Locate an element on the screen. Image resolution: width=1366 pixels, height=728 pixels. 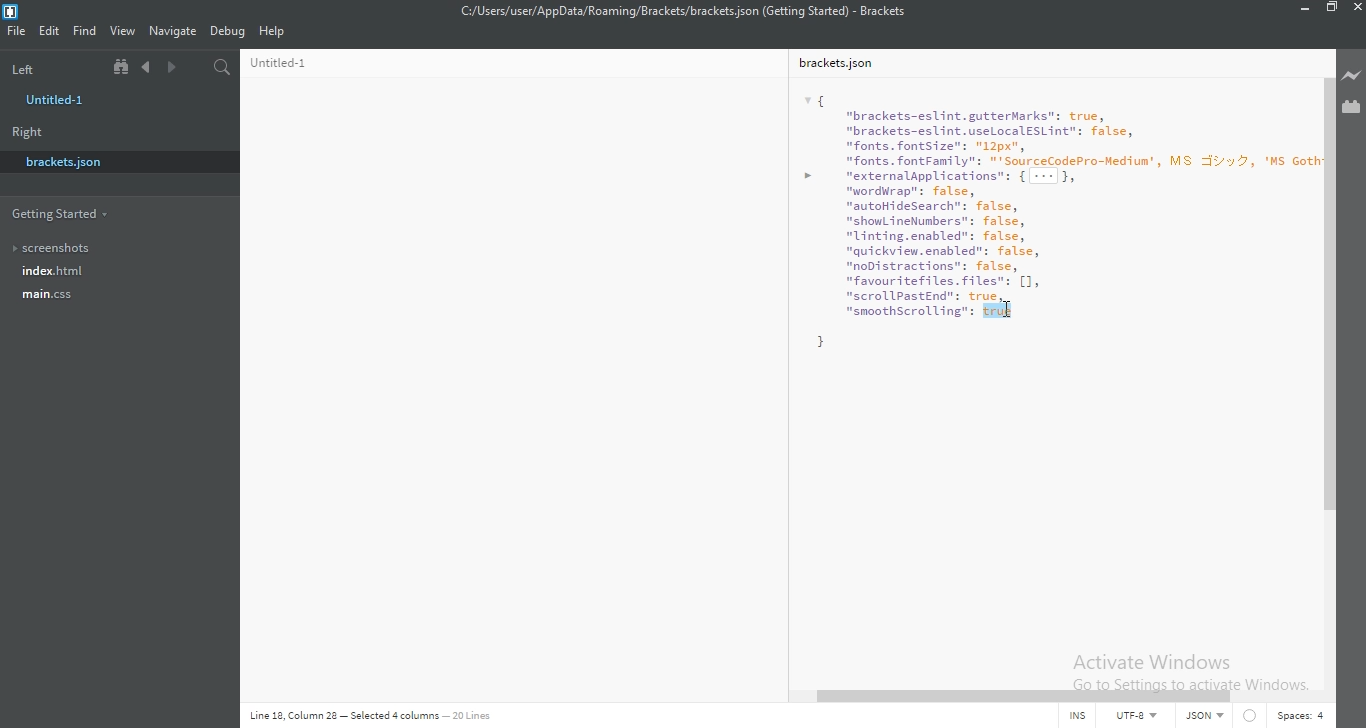
Extension Manager is located at coordinates (1352, 107).